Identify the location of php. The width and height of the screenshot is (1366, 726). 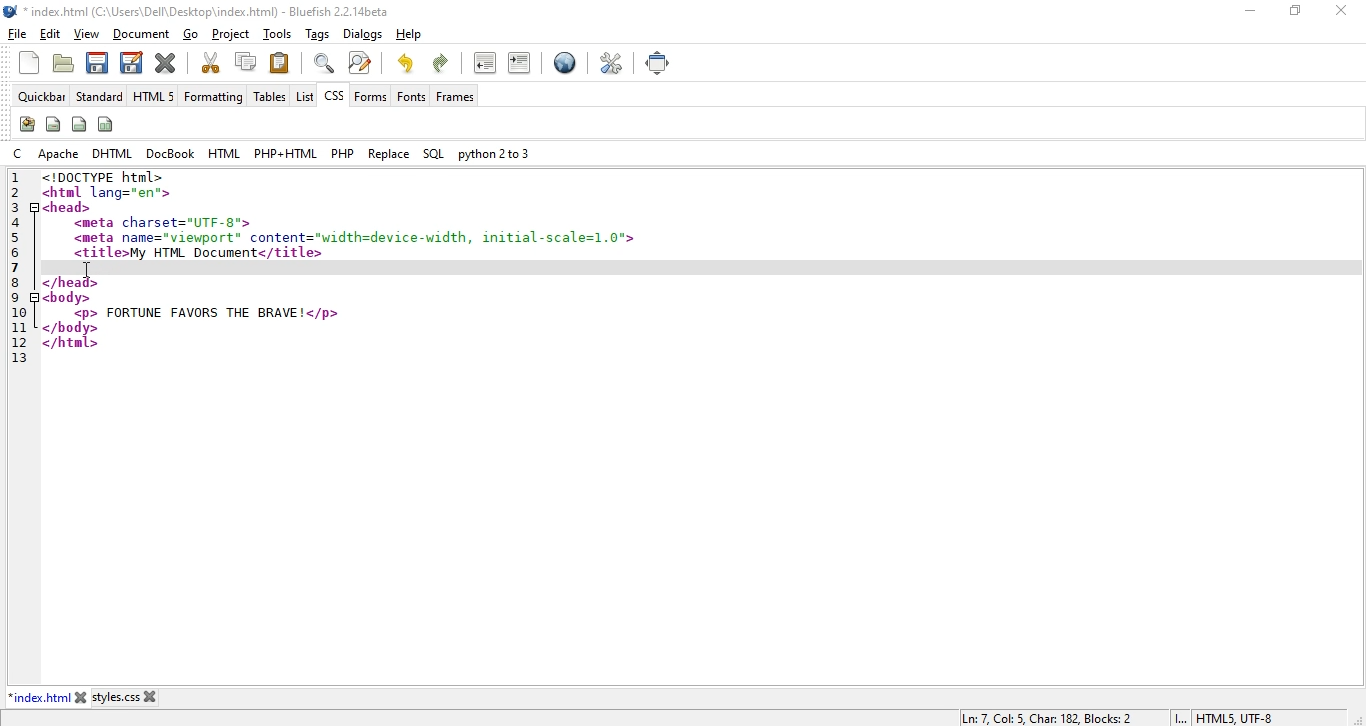
(341, 153).